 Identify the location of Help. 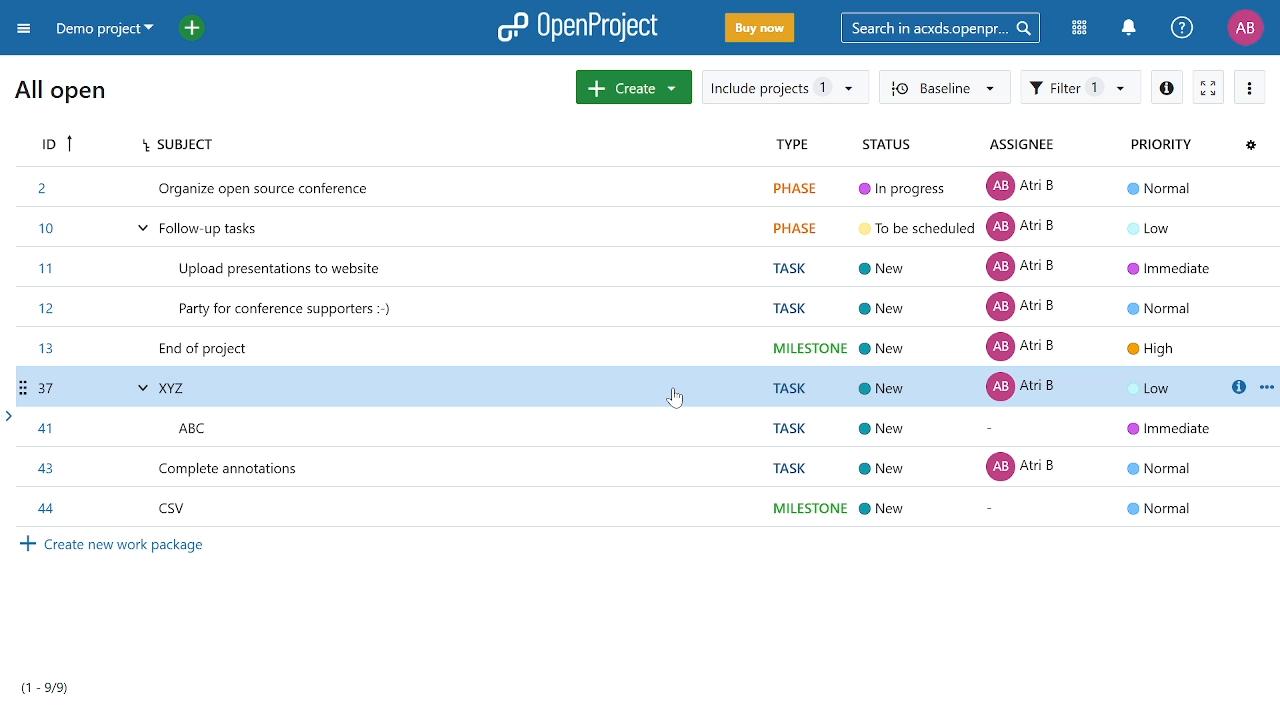
(1184, 28).